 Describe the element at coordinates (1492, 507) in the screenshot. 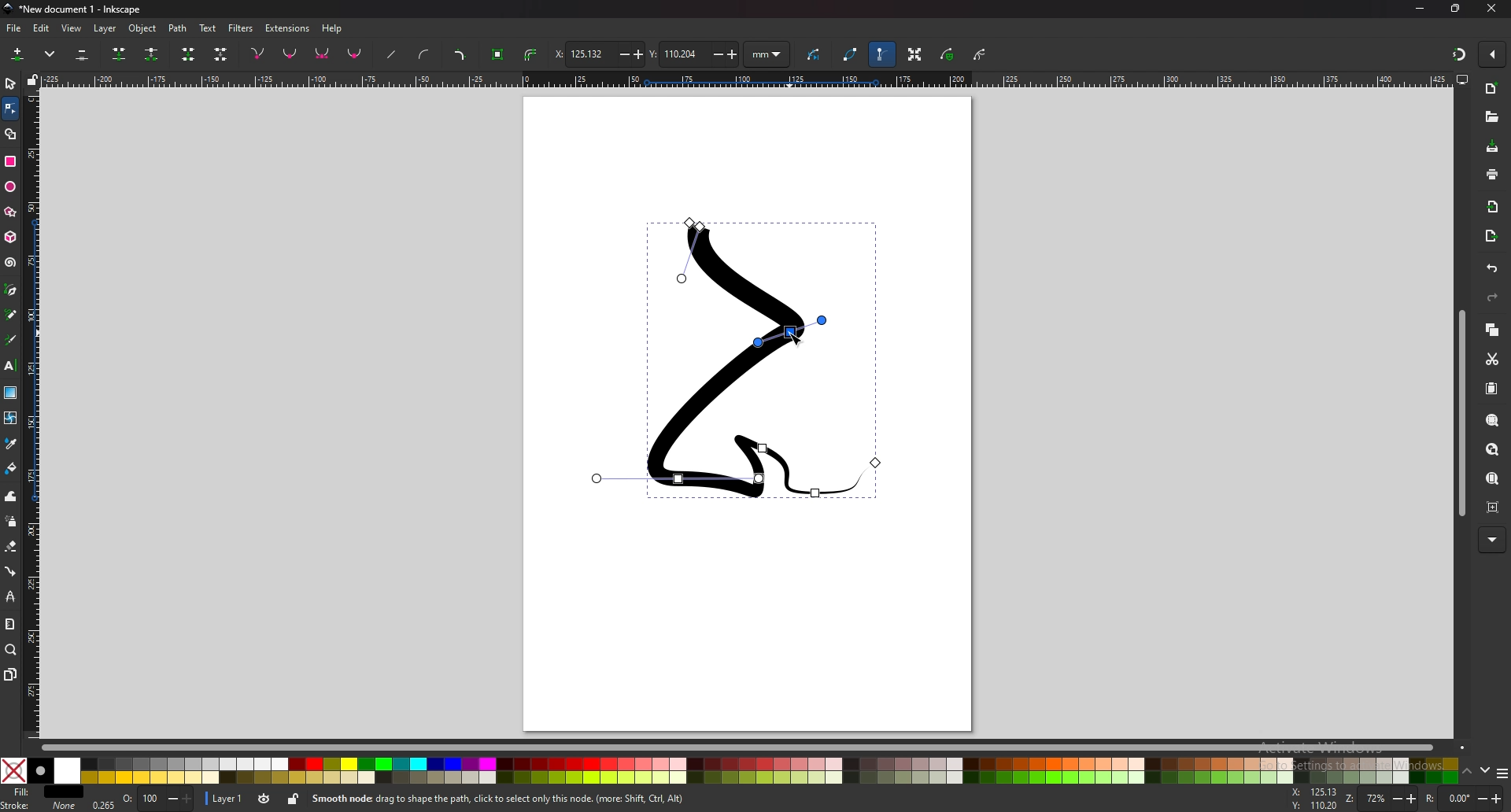

I see `zoom center page` at that location.